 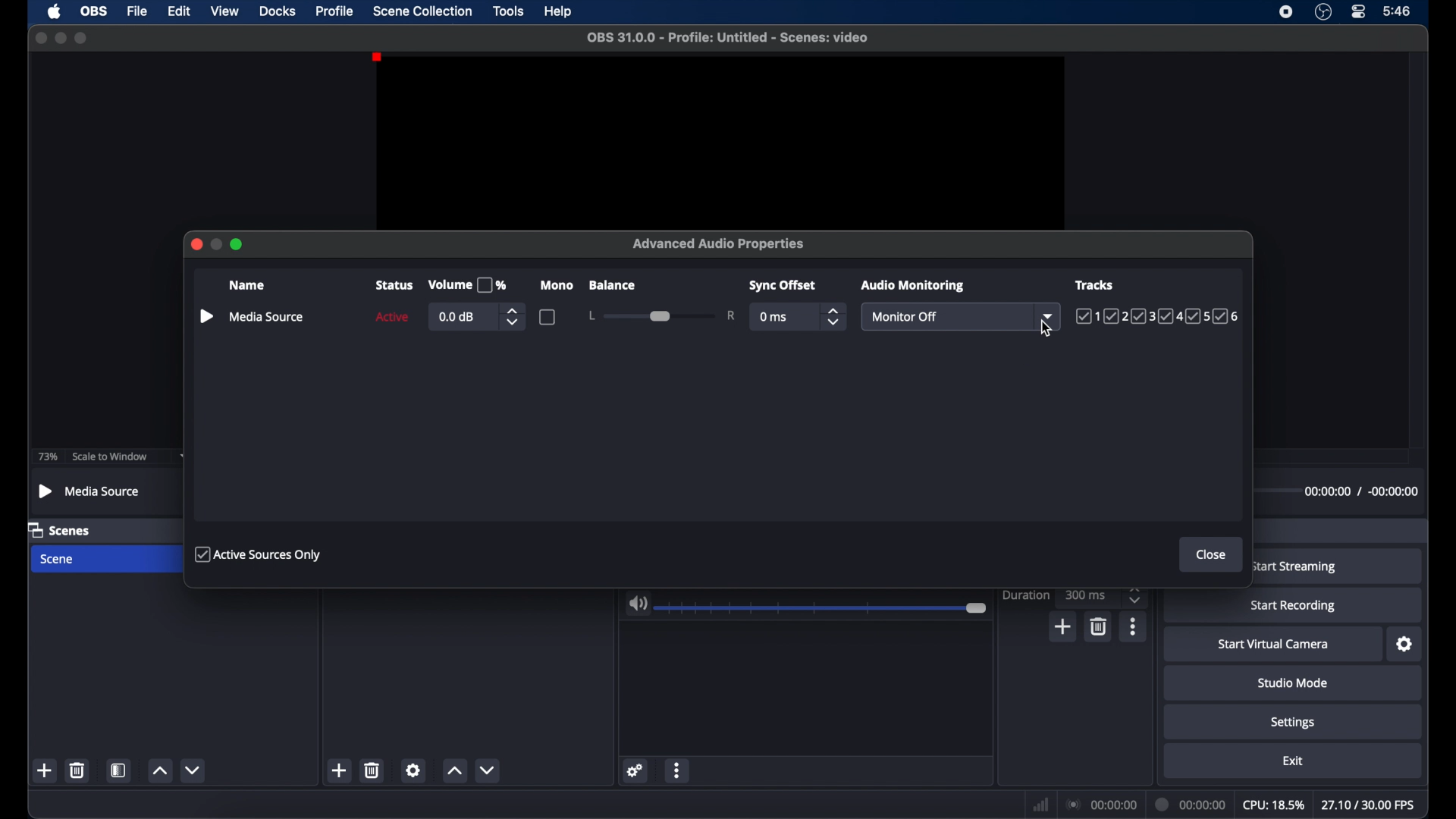 I want to click on apple icon, so click(x=54, y=11).